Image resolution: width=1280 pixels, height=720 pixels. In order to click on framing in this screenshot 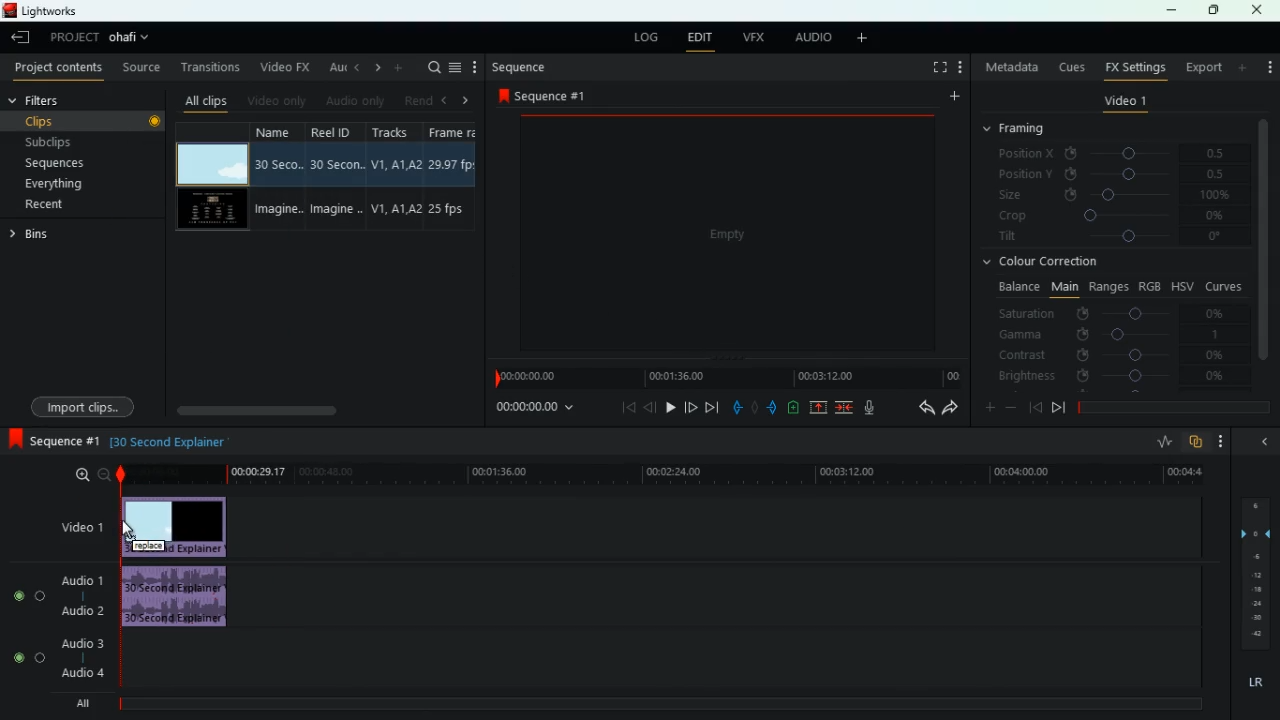, I will do `click(1026, 129)`.